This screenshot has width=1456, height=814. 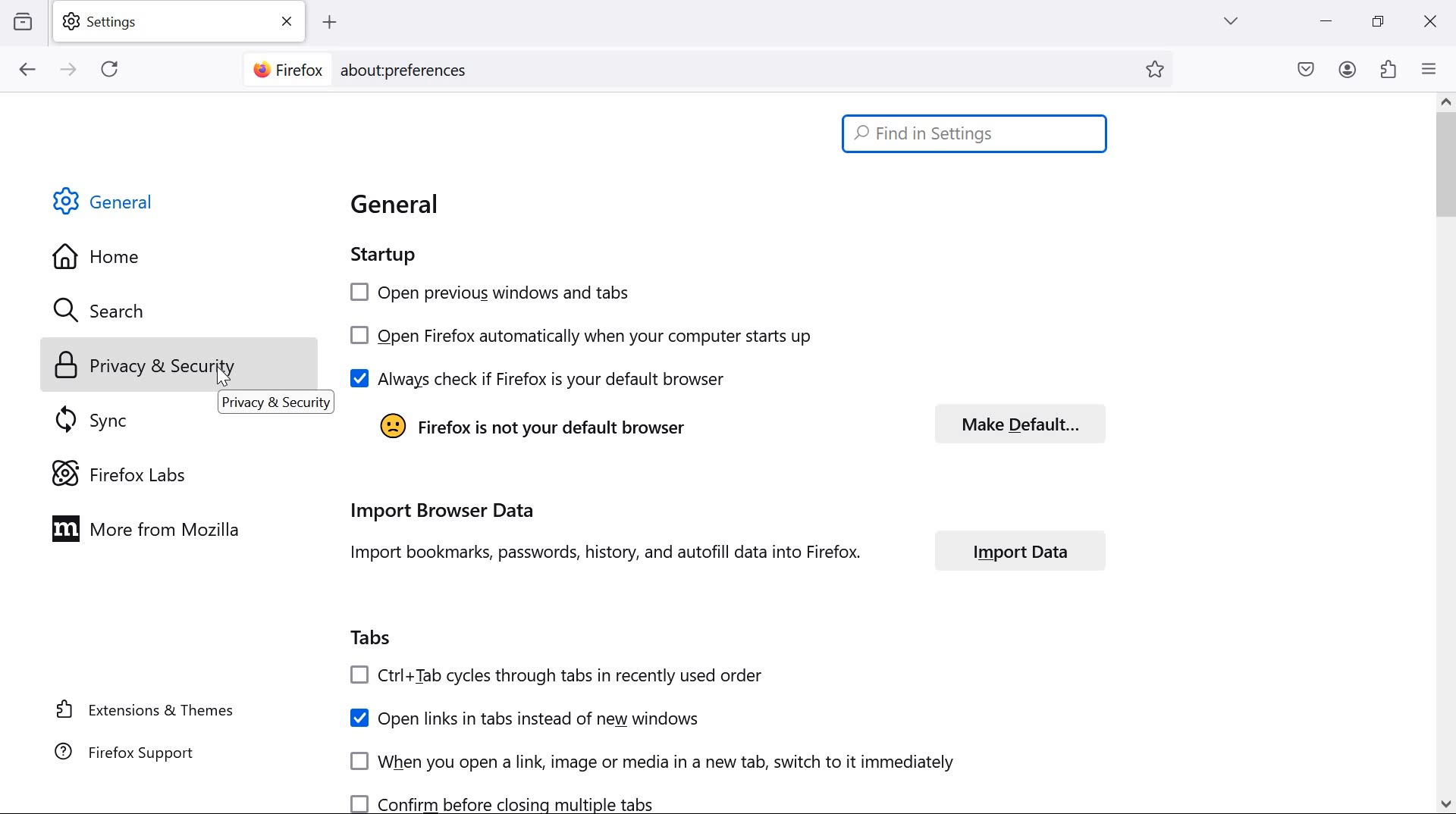 I want to click on search, so click(x=115, y=312).